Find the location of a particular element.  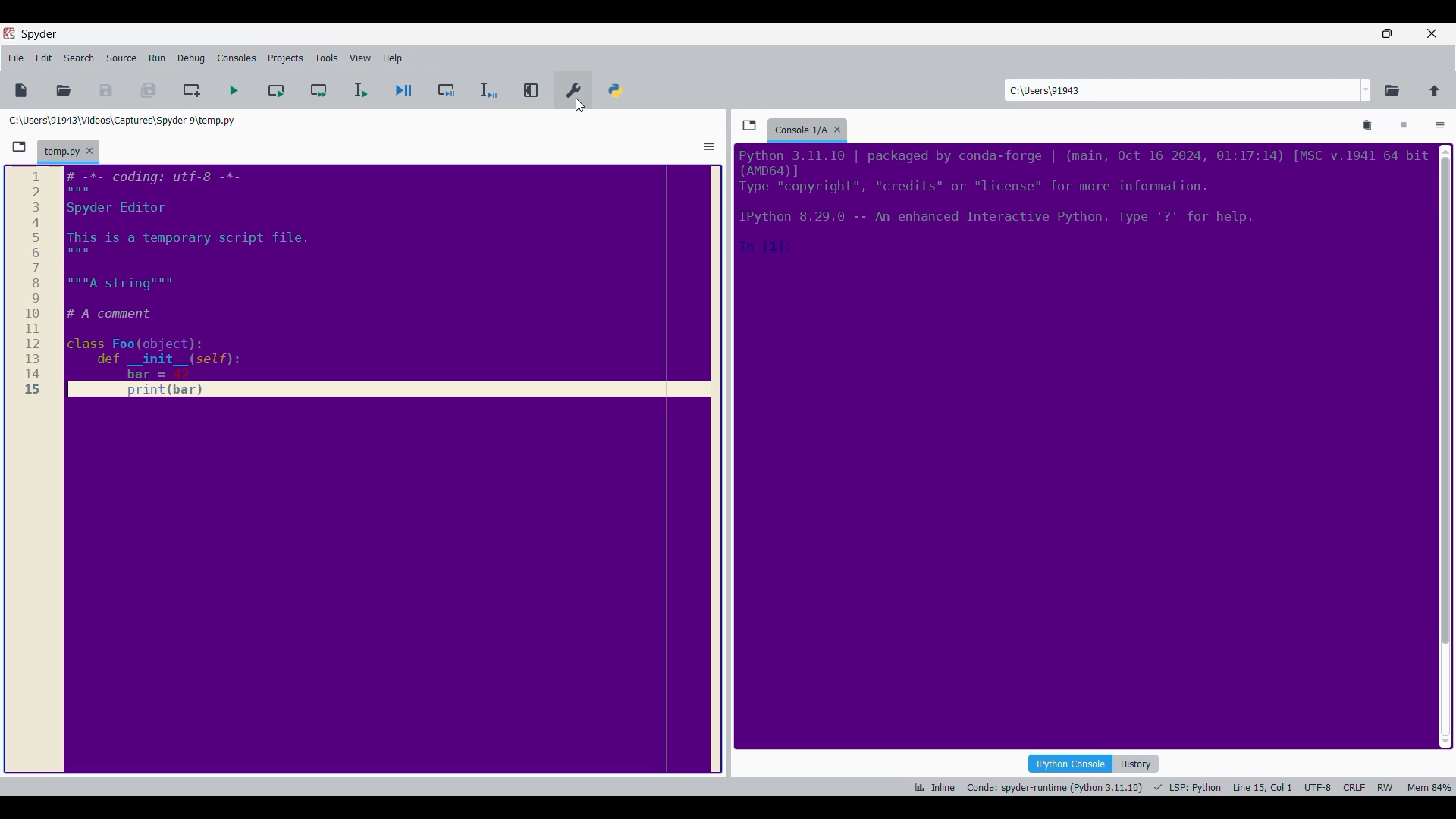

Browse tabs is located at coordinates (749, 125).